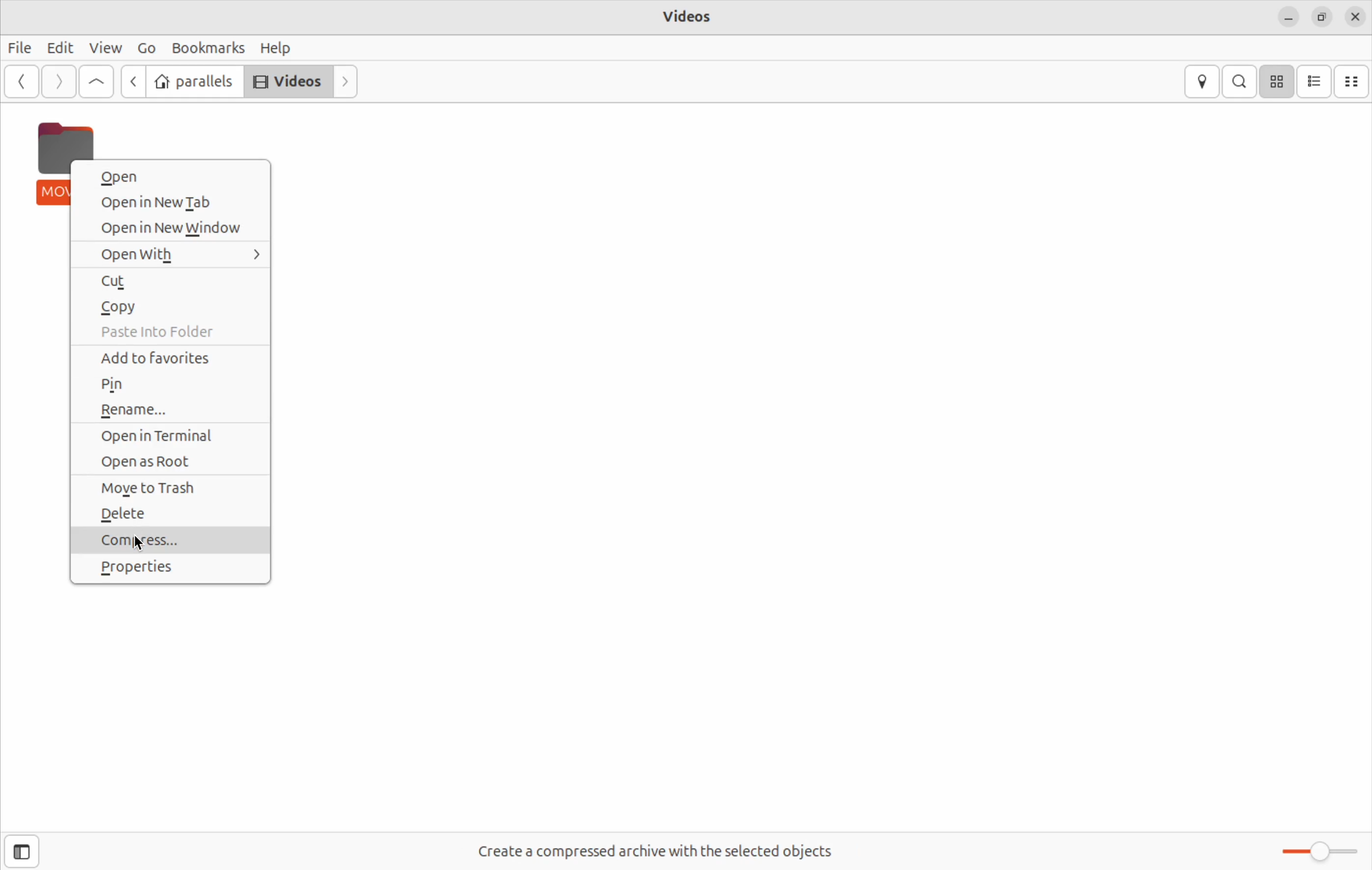  Describe the element at coordinates (173, 515) in the screenshot. I see `delete` at that location.